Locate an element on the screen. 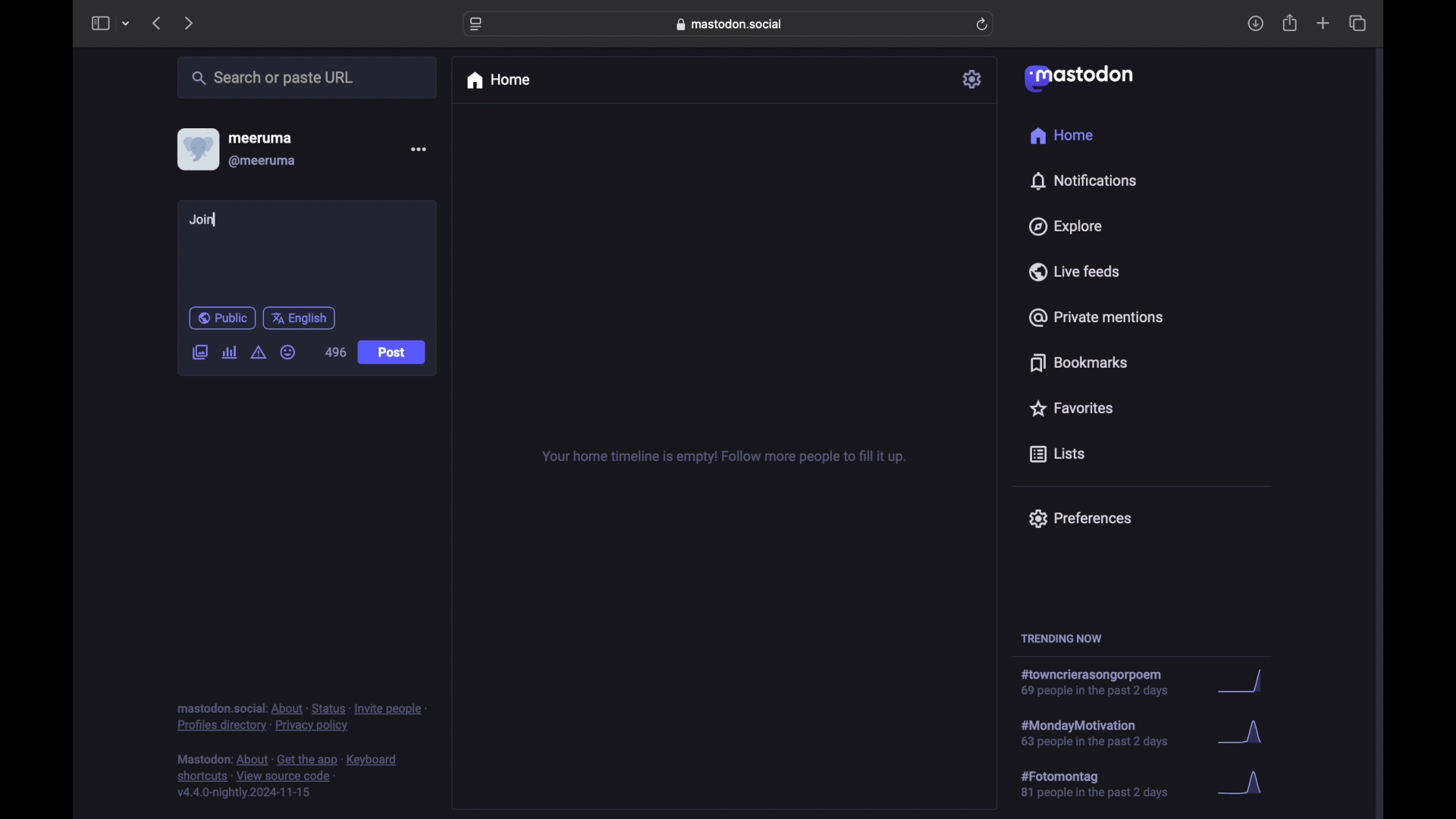 This screenshot has height=819, width=1456. home is located at coordinates (1061, 136).